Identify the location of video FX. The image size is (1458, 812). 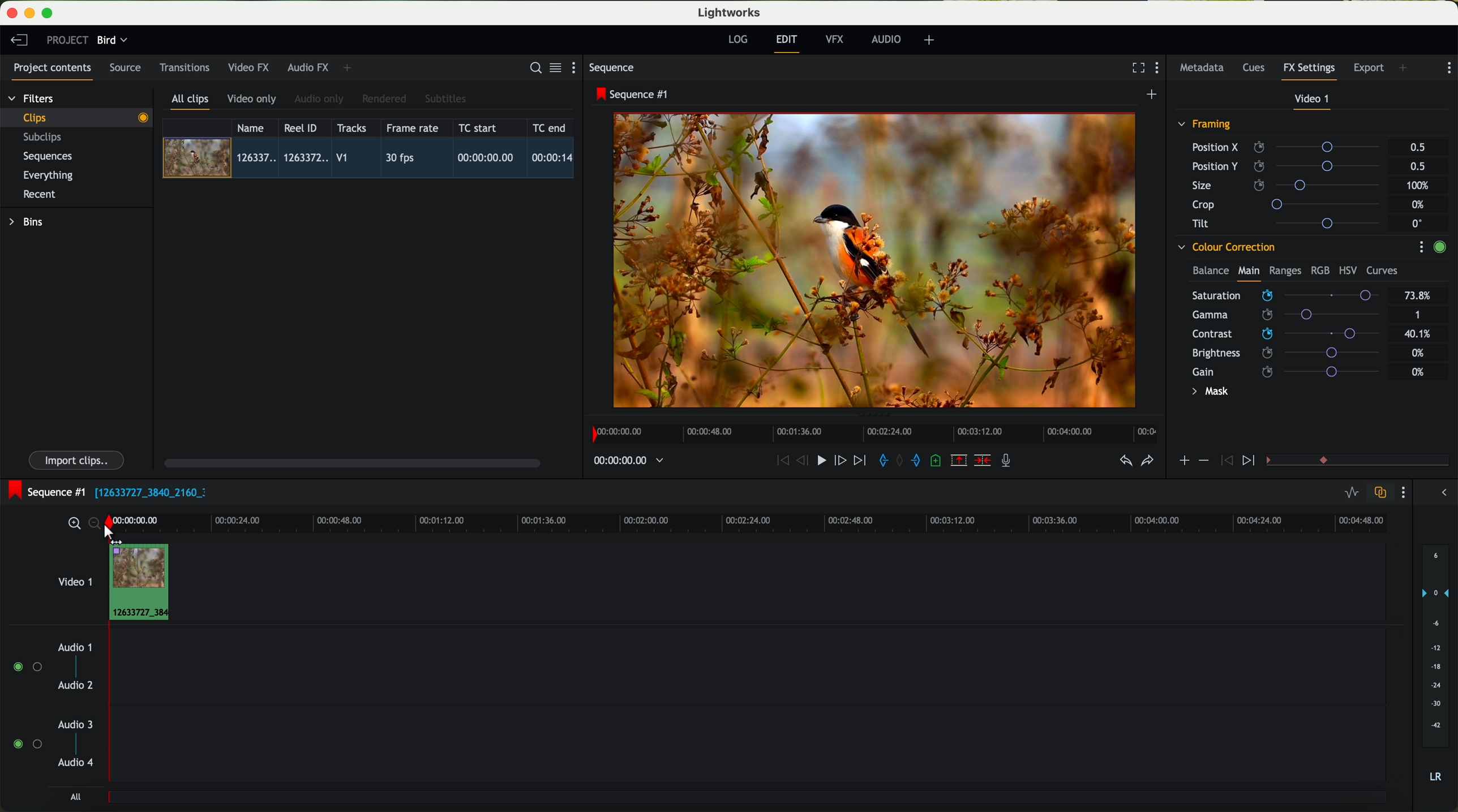
(251, 67).